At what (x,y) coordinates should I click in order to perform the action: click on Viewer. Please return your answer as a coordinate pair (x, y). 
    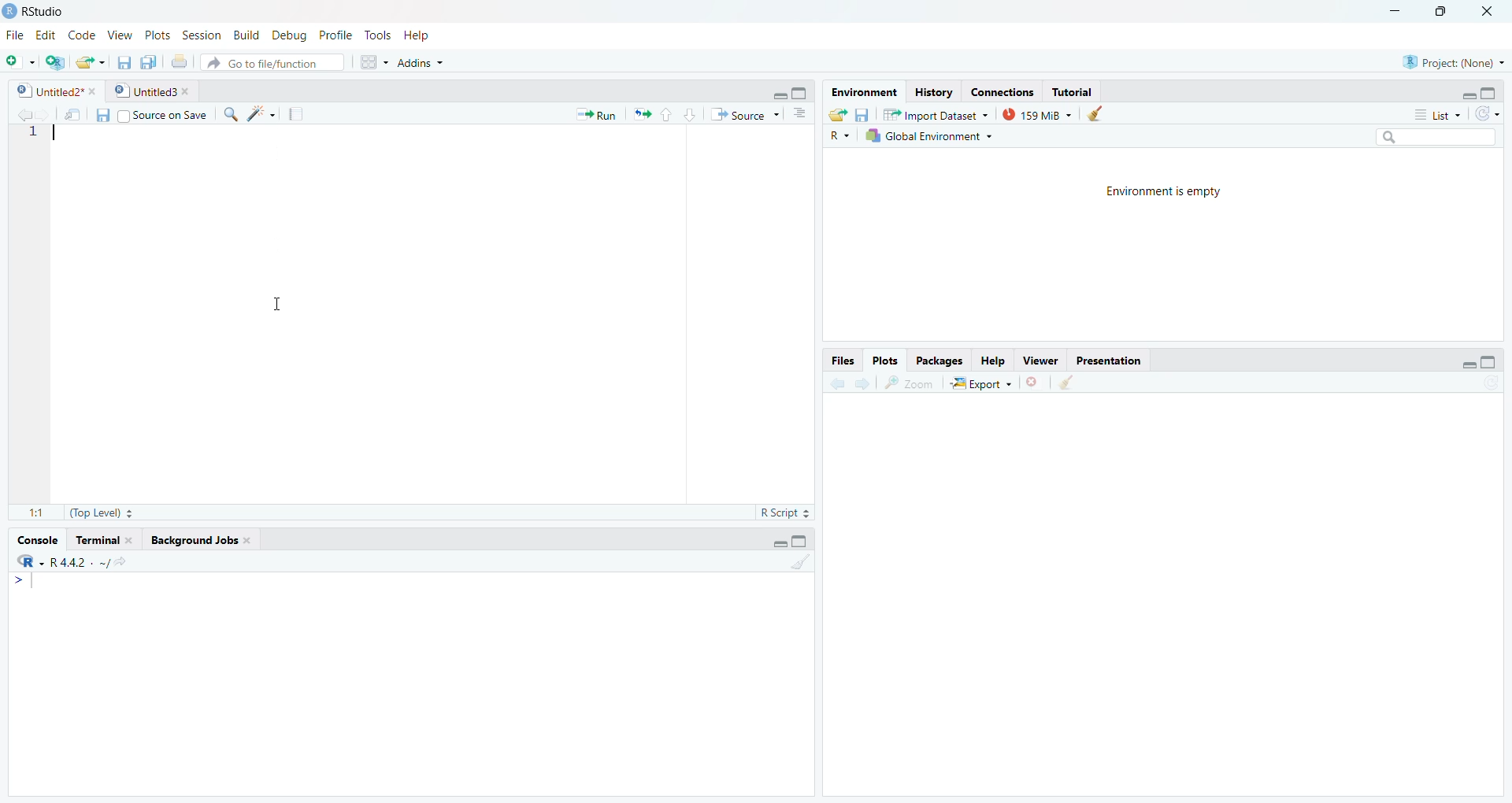
    Looking at the image, I should click on (1043, 361).